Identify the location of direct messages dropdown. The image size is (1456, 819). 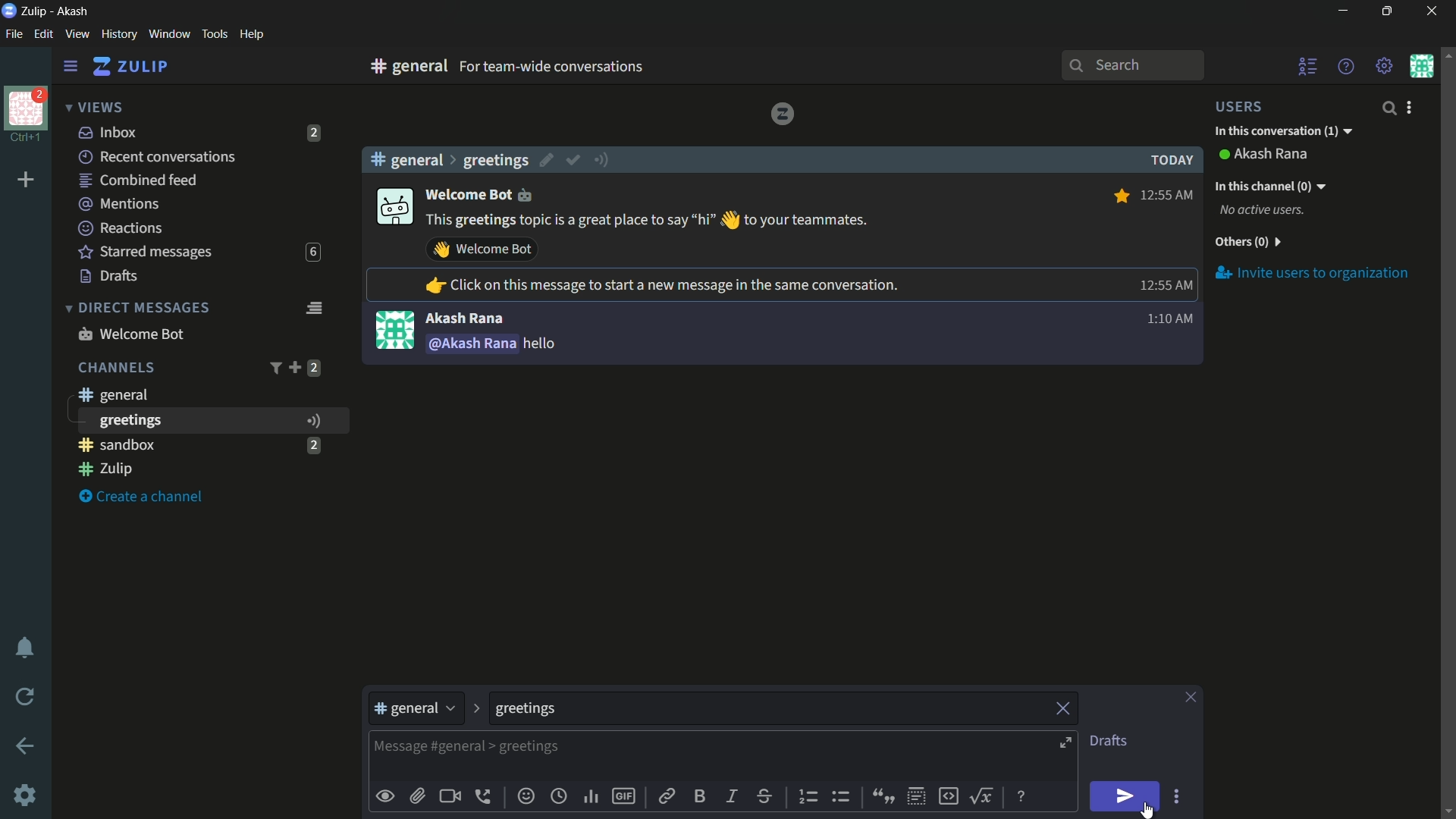
(136, 309).